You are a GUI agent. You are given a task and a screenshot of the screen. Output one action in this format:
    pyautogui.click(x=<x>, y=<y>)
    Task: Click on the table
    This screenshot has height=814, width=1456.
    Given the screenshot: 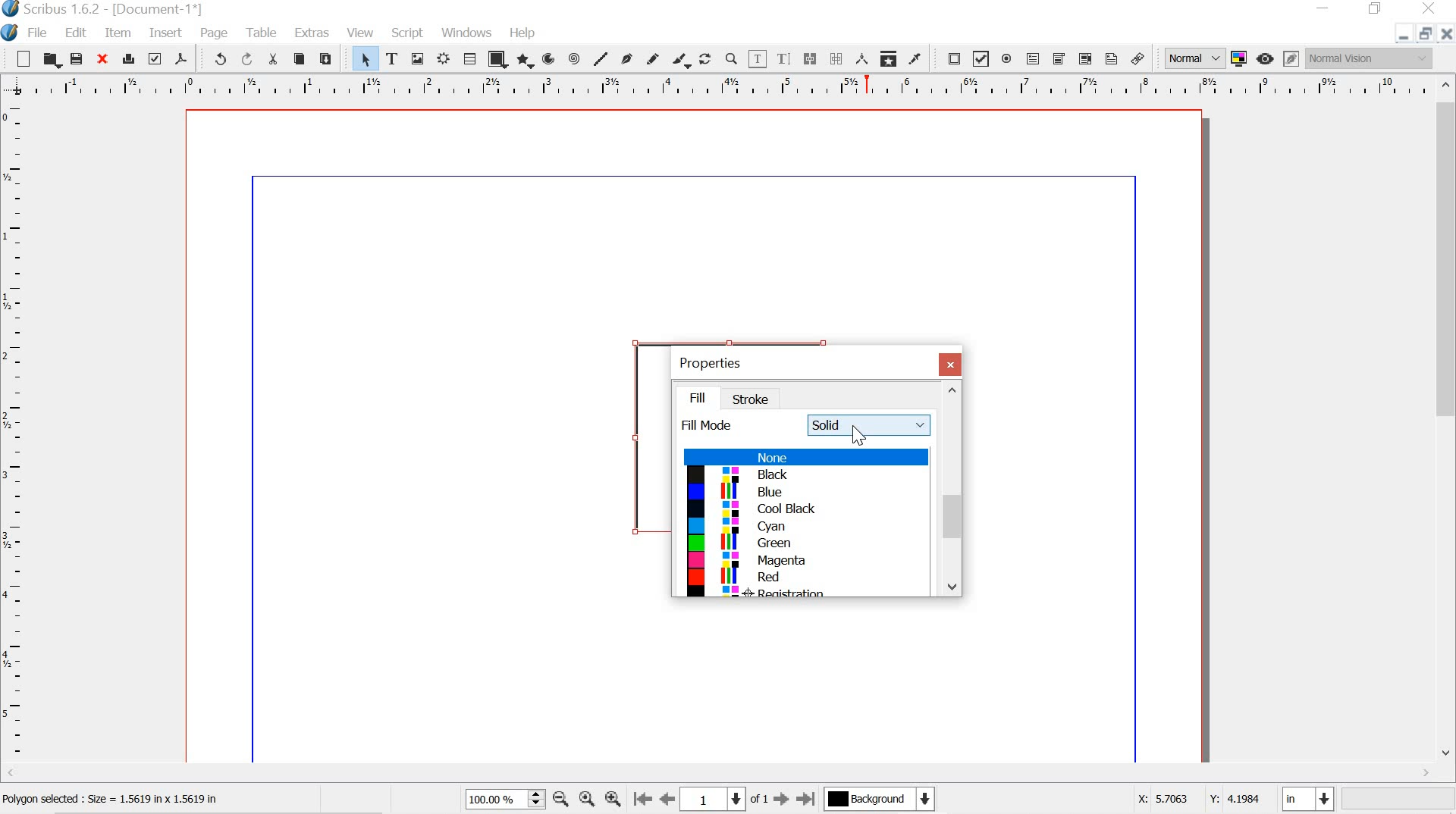 What is the action you would take?
    pyautogui.click(x=262, y=33)
    